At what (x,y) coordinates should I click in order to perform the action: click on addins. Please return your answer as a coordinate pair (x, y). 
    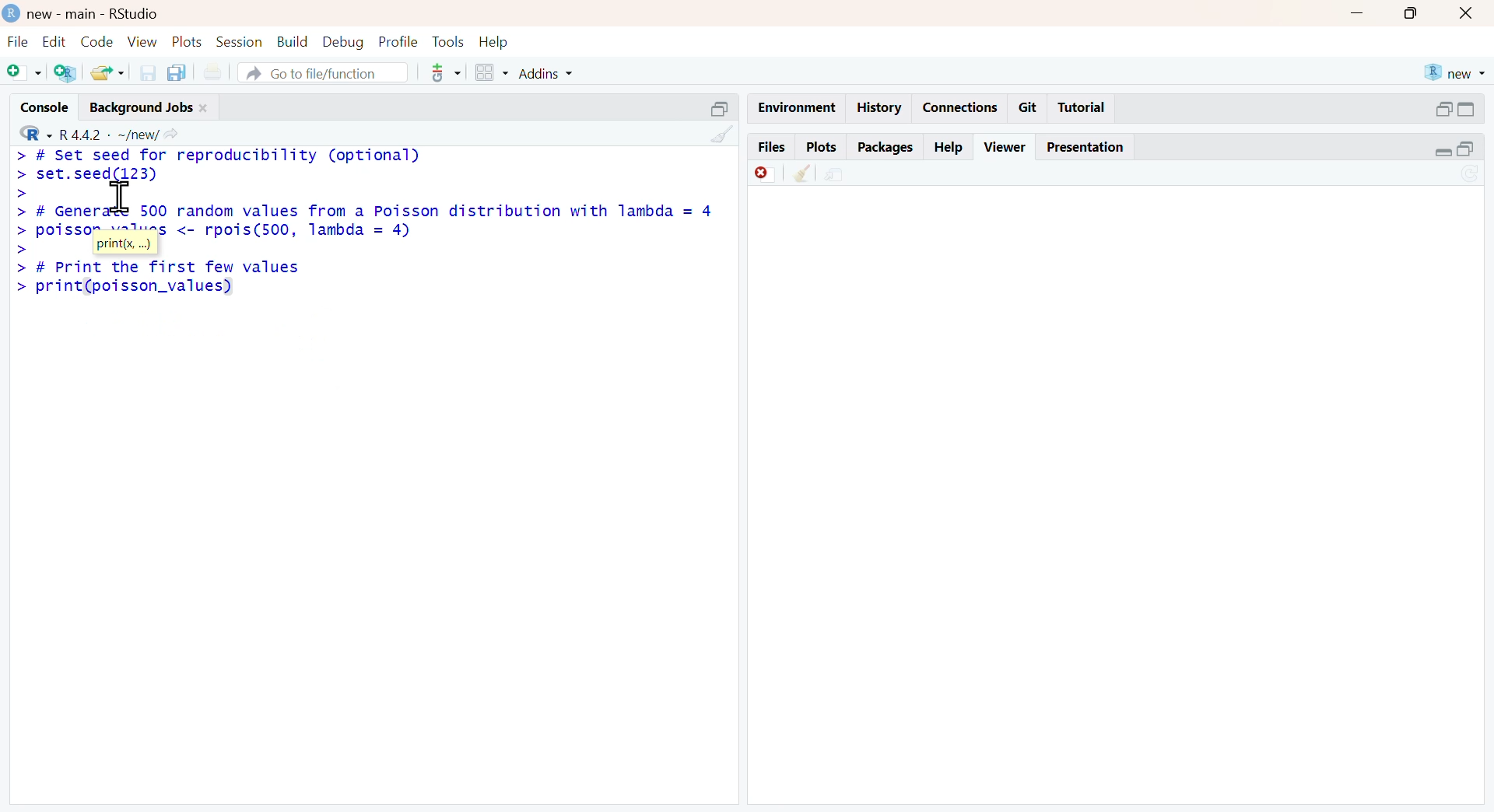
    Looking at the image, I should click on (545, 75).